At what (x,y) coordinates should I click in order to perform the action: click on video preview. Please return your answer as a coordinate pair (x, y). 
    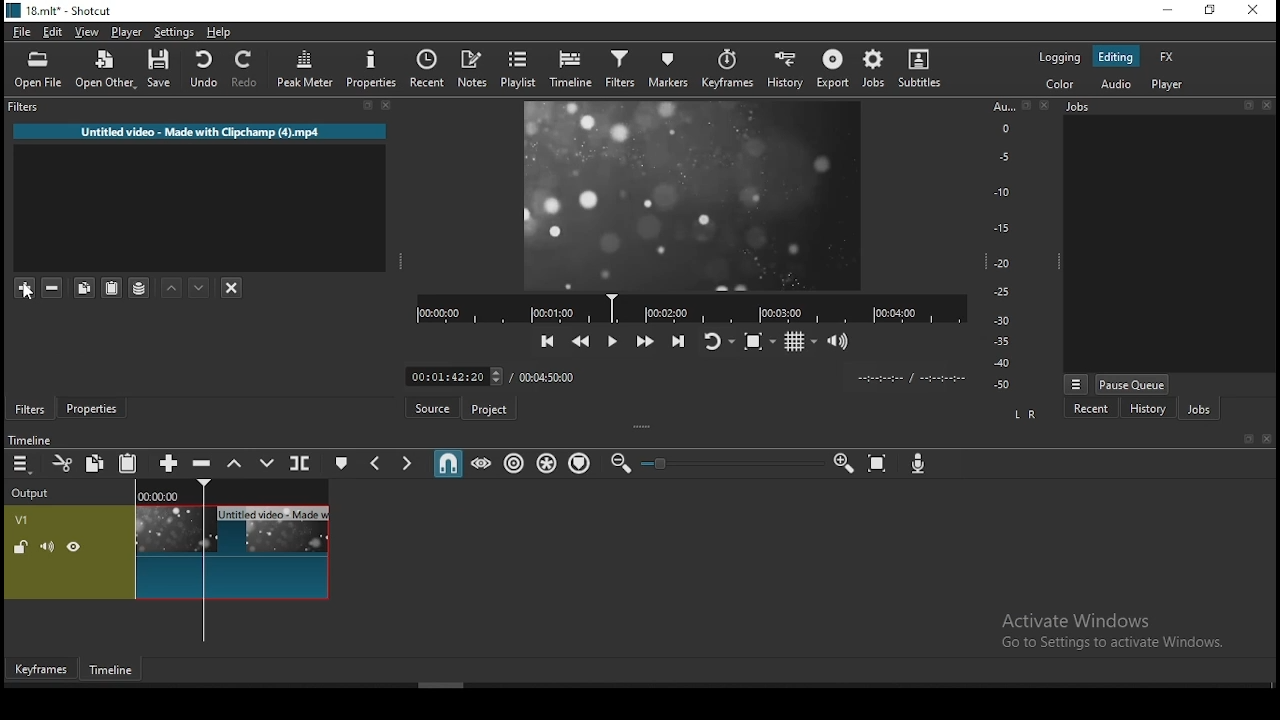
    Looking at the image, I should click on (694, 195).